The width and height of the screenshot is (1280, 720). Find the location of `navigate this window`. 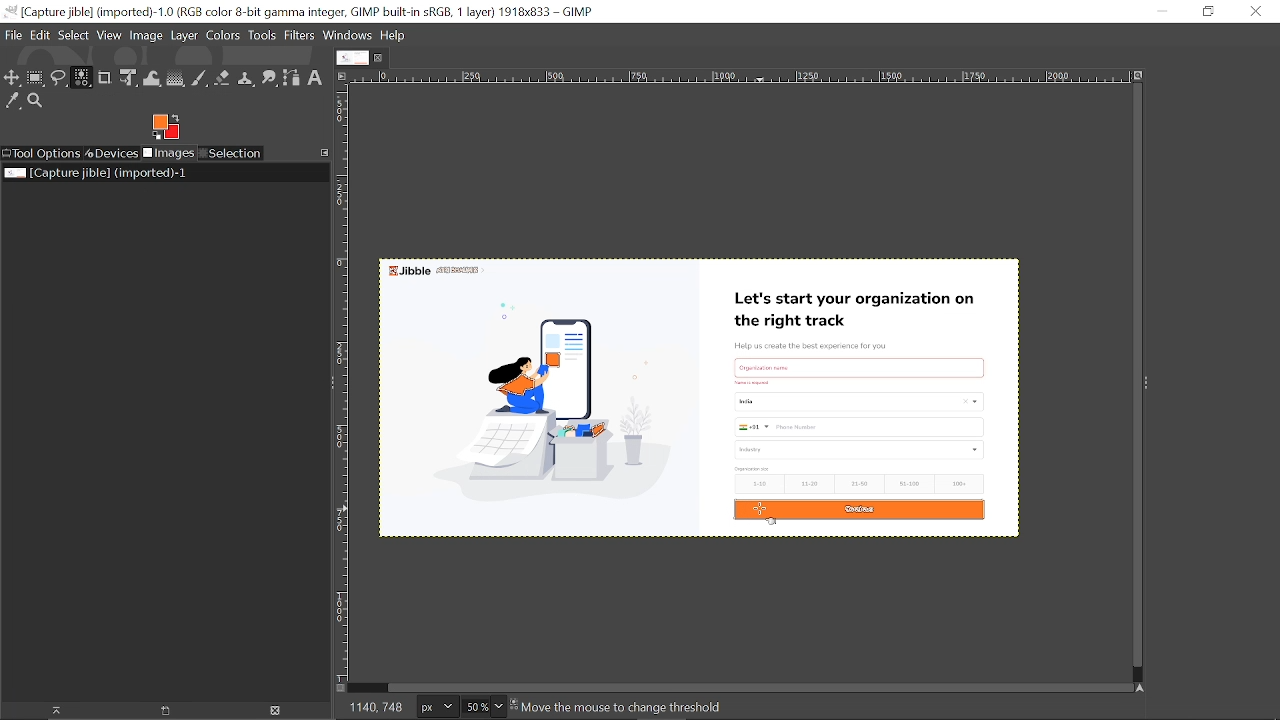

navigate this window is located at coordinates (1144, 687).